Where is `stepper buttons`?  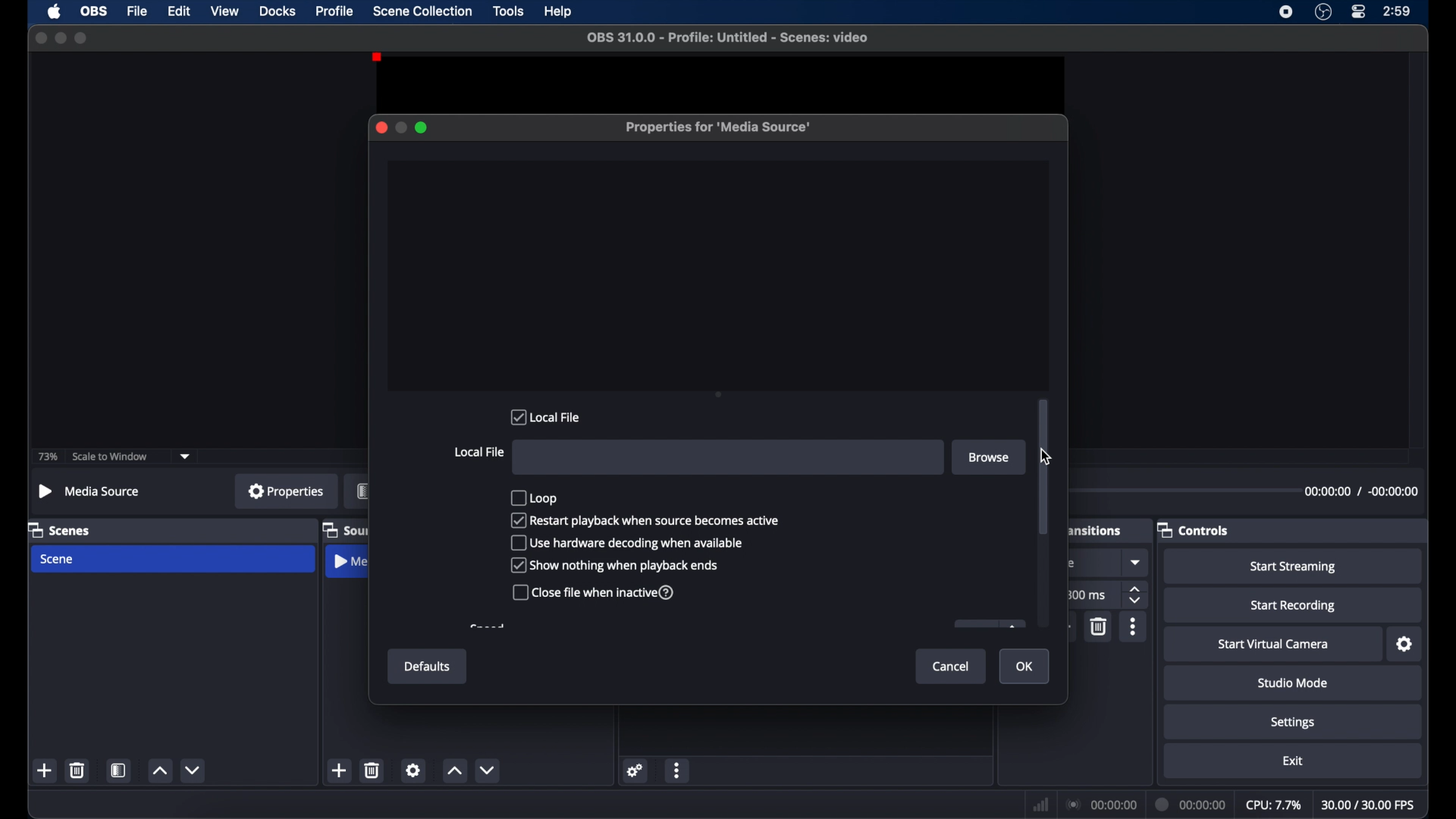 stepper buttons is located at coordinates (1136, 595).